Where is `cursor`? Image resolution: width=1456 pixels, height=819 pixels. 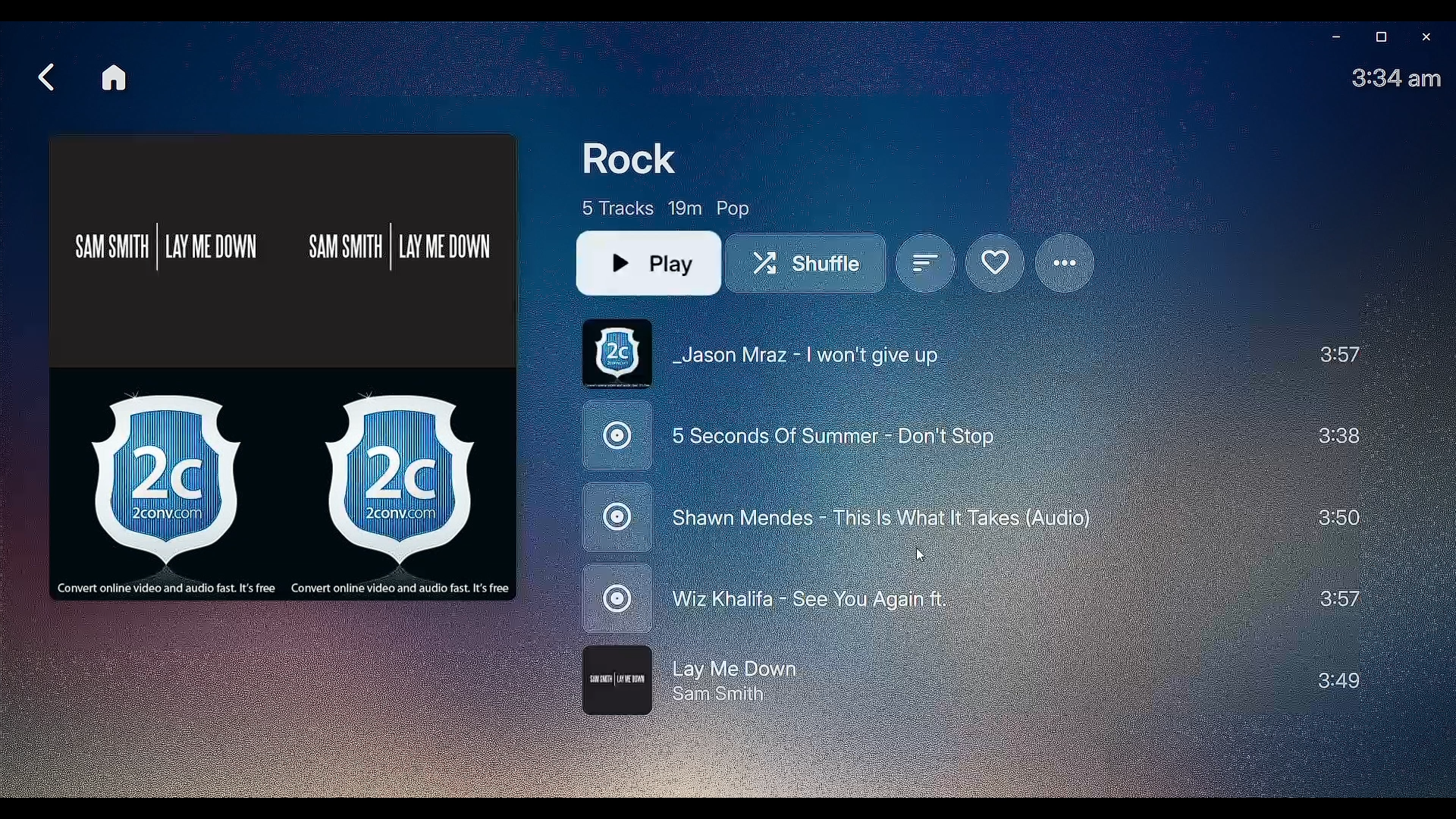 cursor is located at coordinates (923, 555).